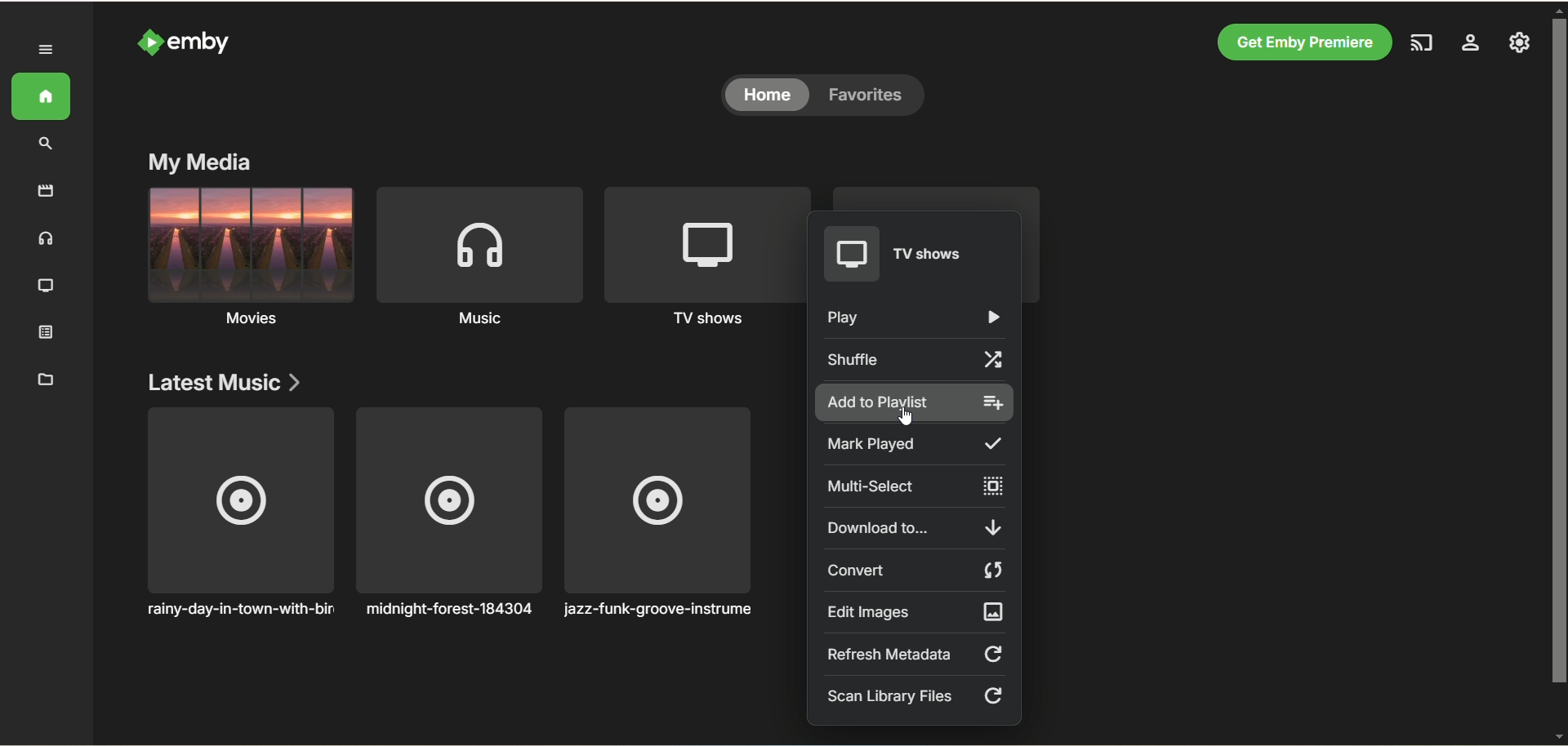 The width and height of the screenshot is (1568, 746). What do you see at coordinates (914, 570) in the screenshot?
I see `convert` at bounding box center [914, 570].